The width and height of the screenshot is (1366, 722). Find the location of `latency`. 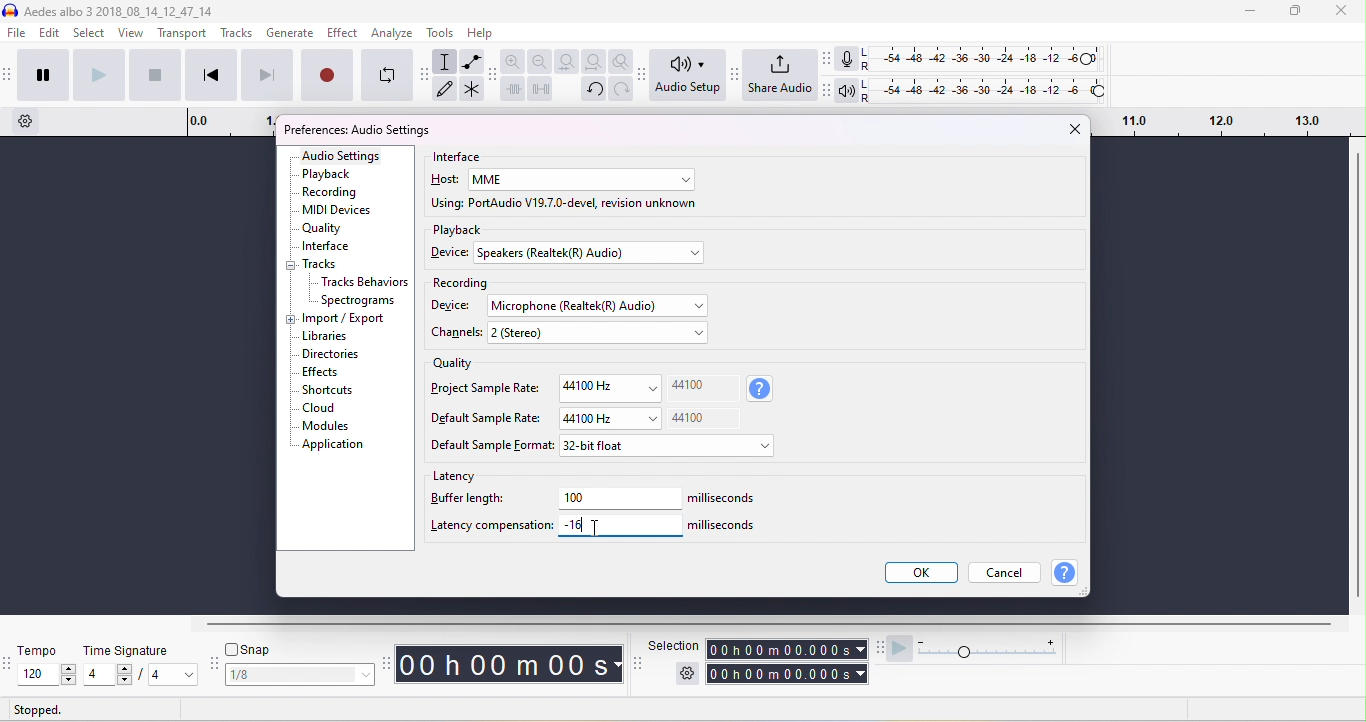

latency is located at coordinates (457, 475).